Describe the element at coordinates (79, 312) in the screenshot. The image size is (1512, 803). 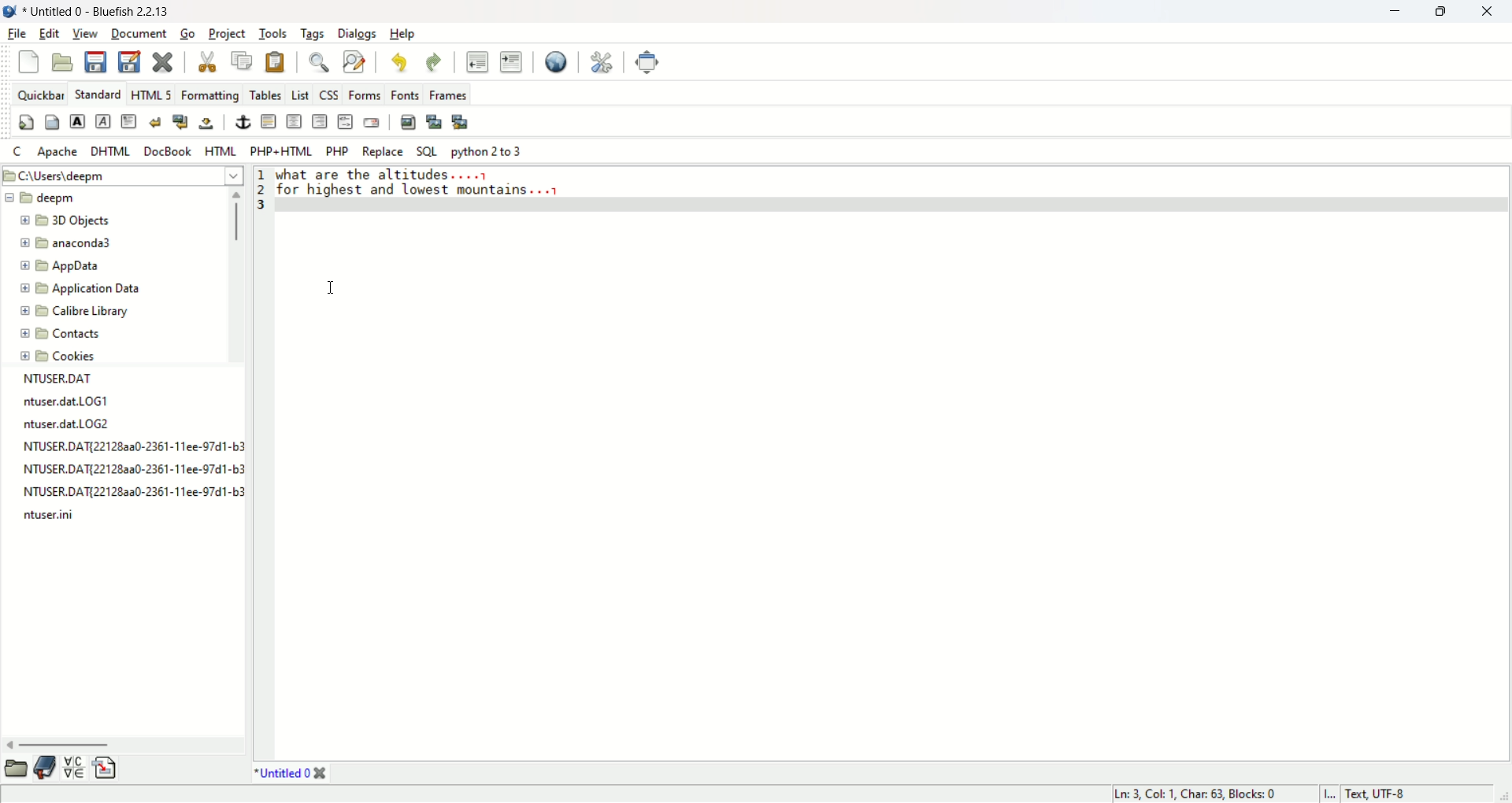
I see `calibre` at that location.